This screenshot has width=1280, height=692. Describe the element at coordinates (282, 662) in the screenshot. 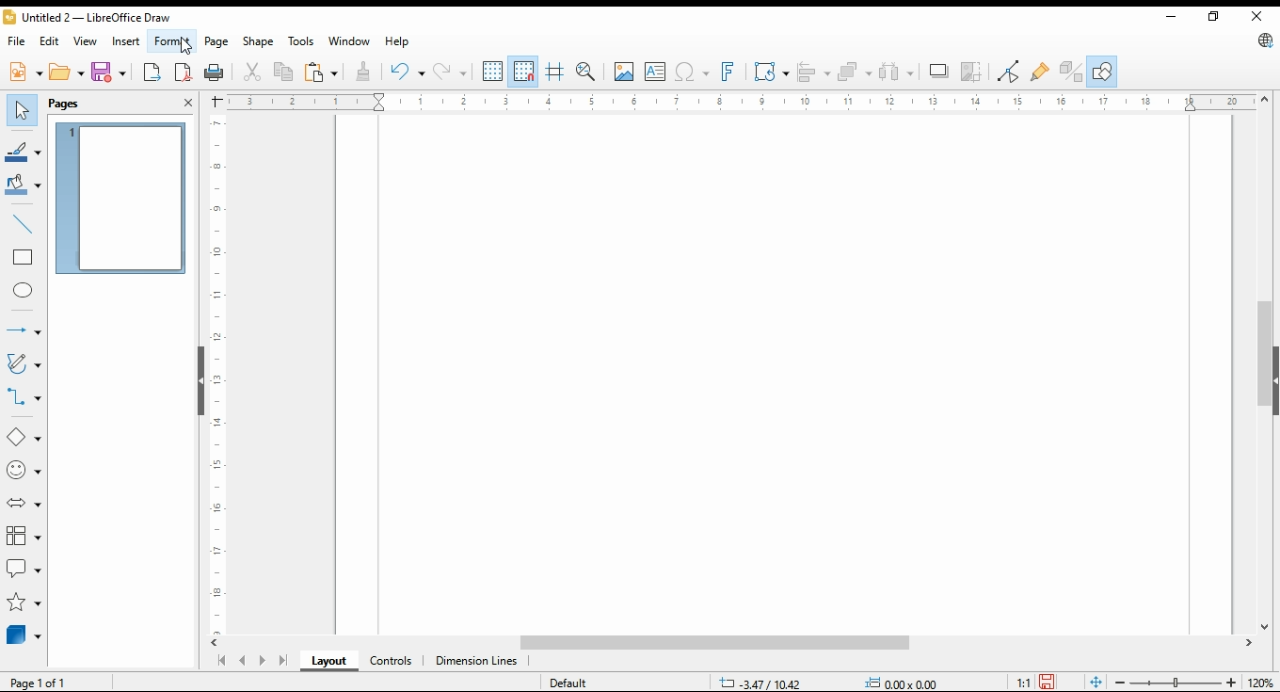

I see `last page` at that location.